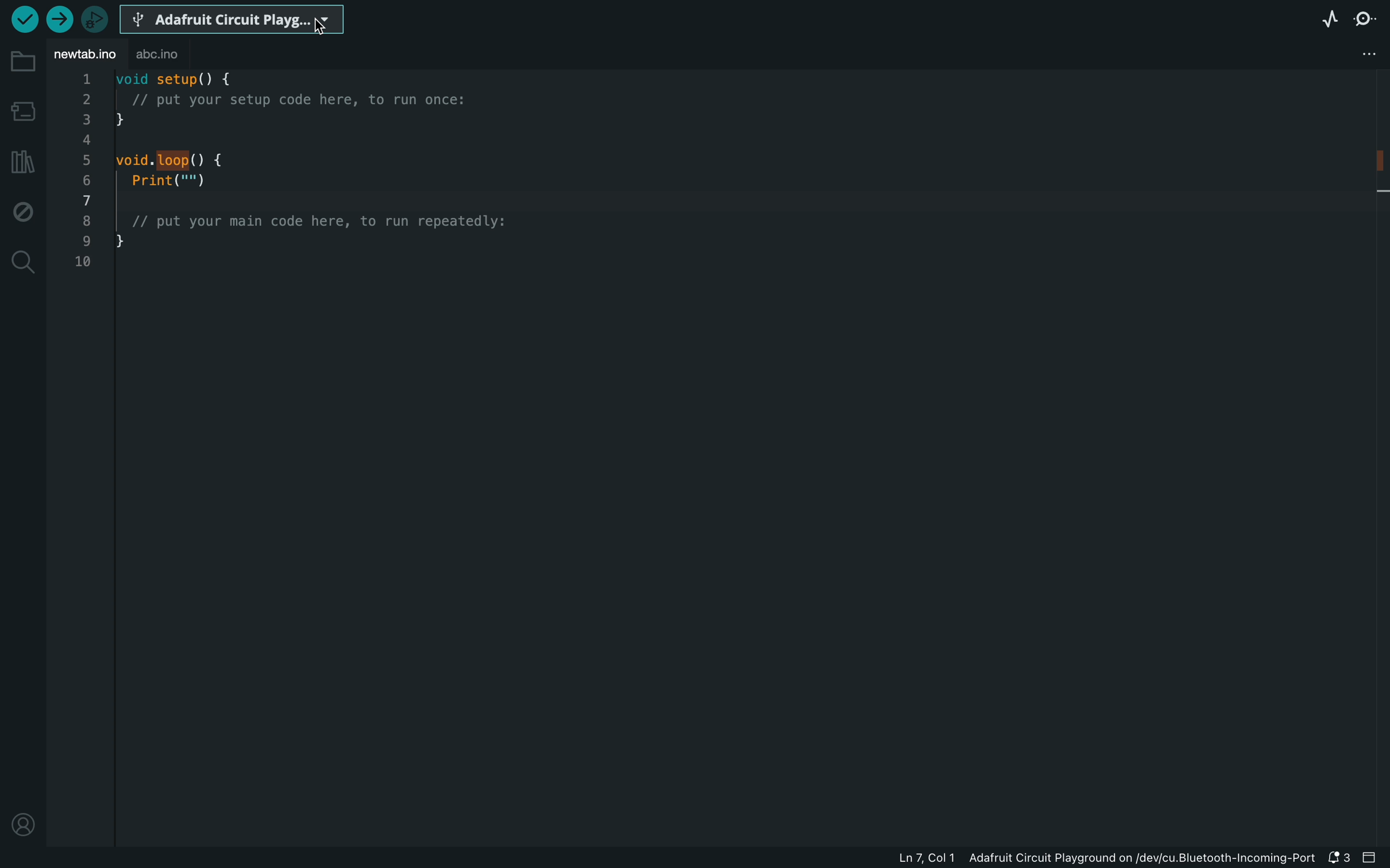  I want to click on upload, so click(56, 21).